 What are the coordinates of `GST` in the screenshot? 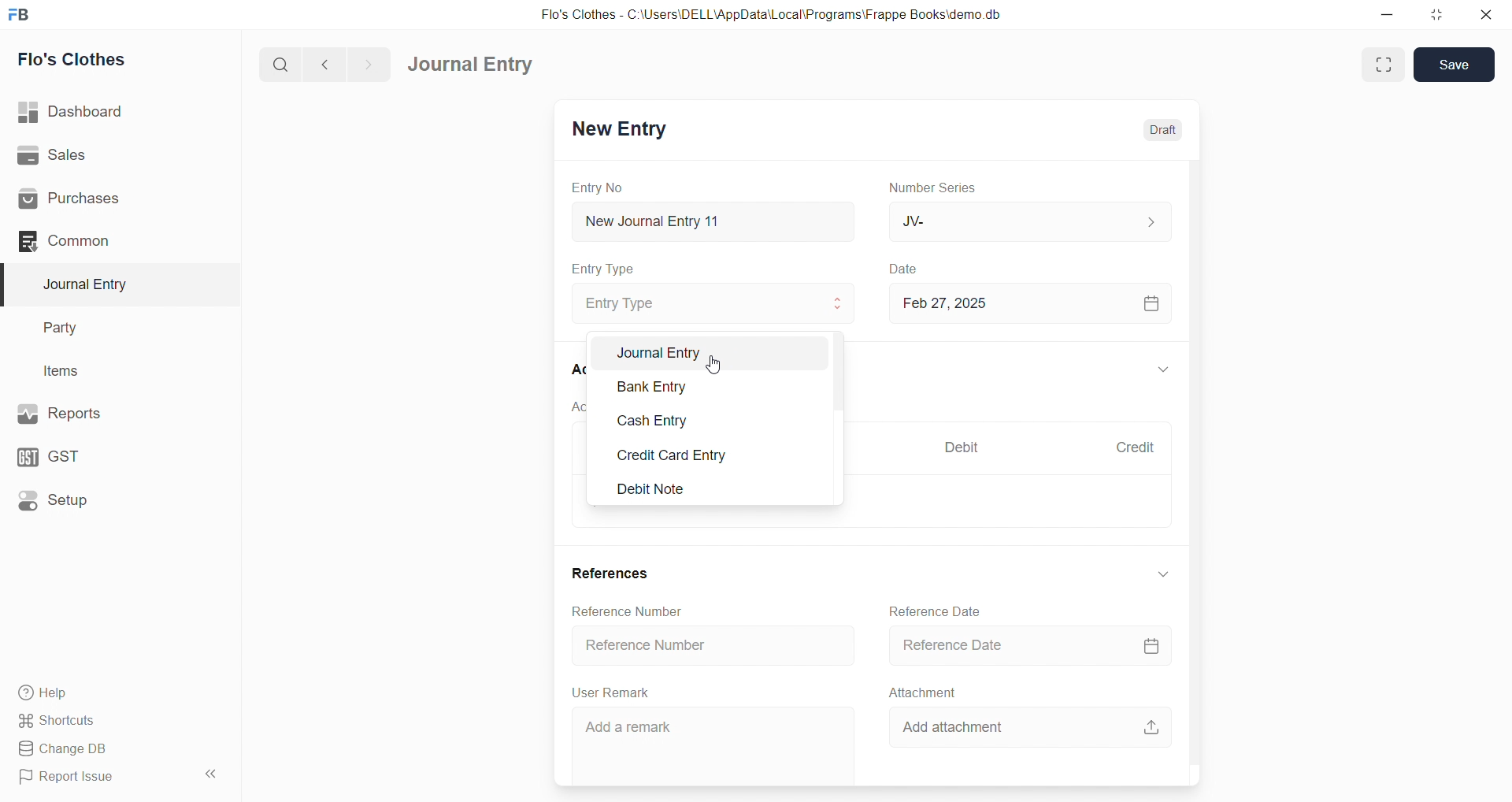 It's located at (86, 457).